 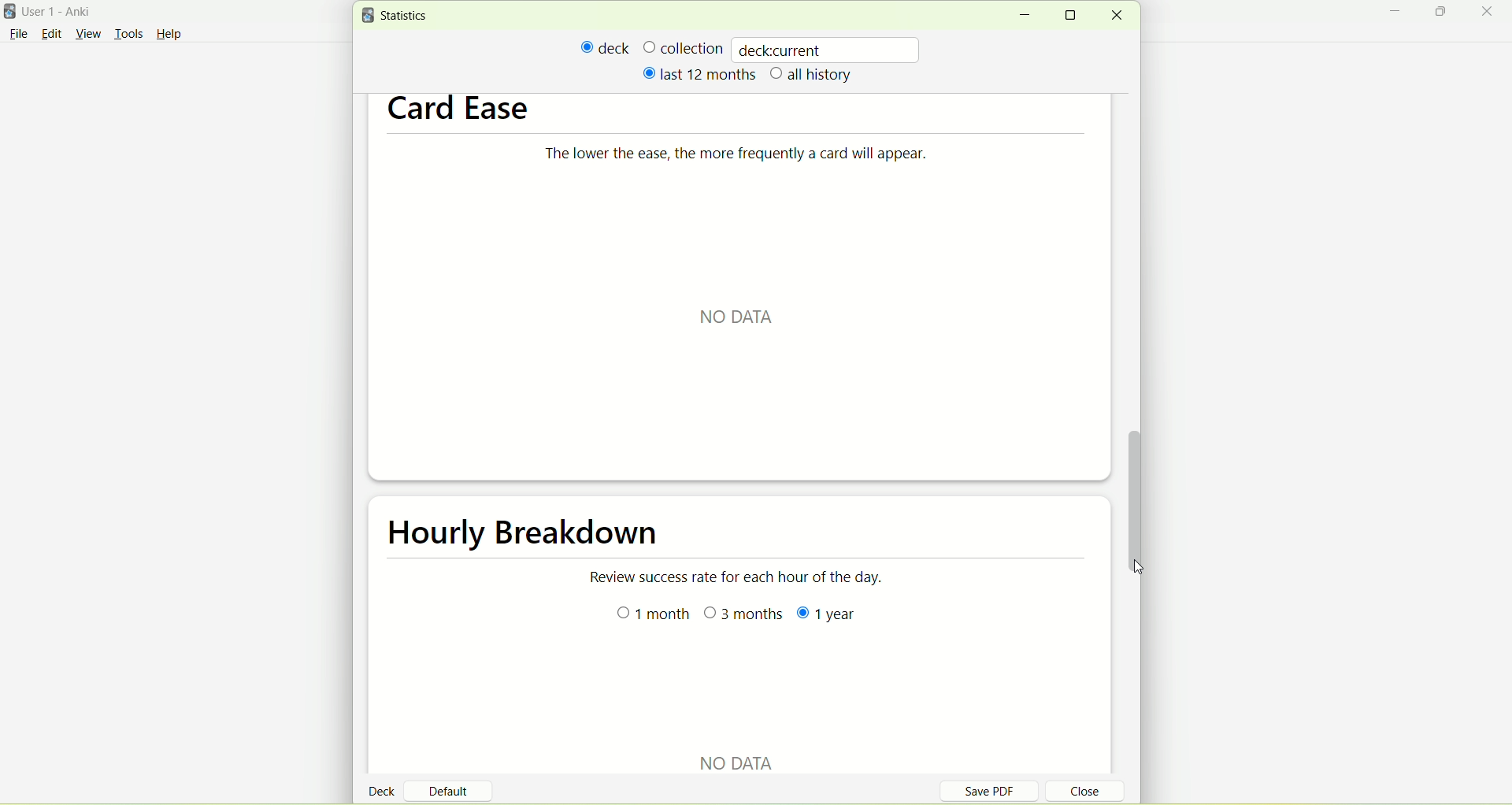 I want to click on Help, so click(x=169, y=36).